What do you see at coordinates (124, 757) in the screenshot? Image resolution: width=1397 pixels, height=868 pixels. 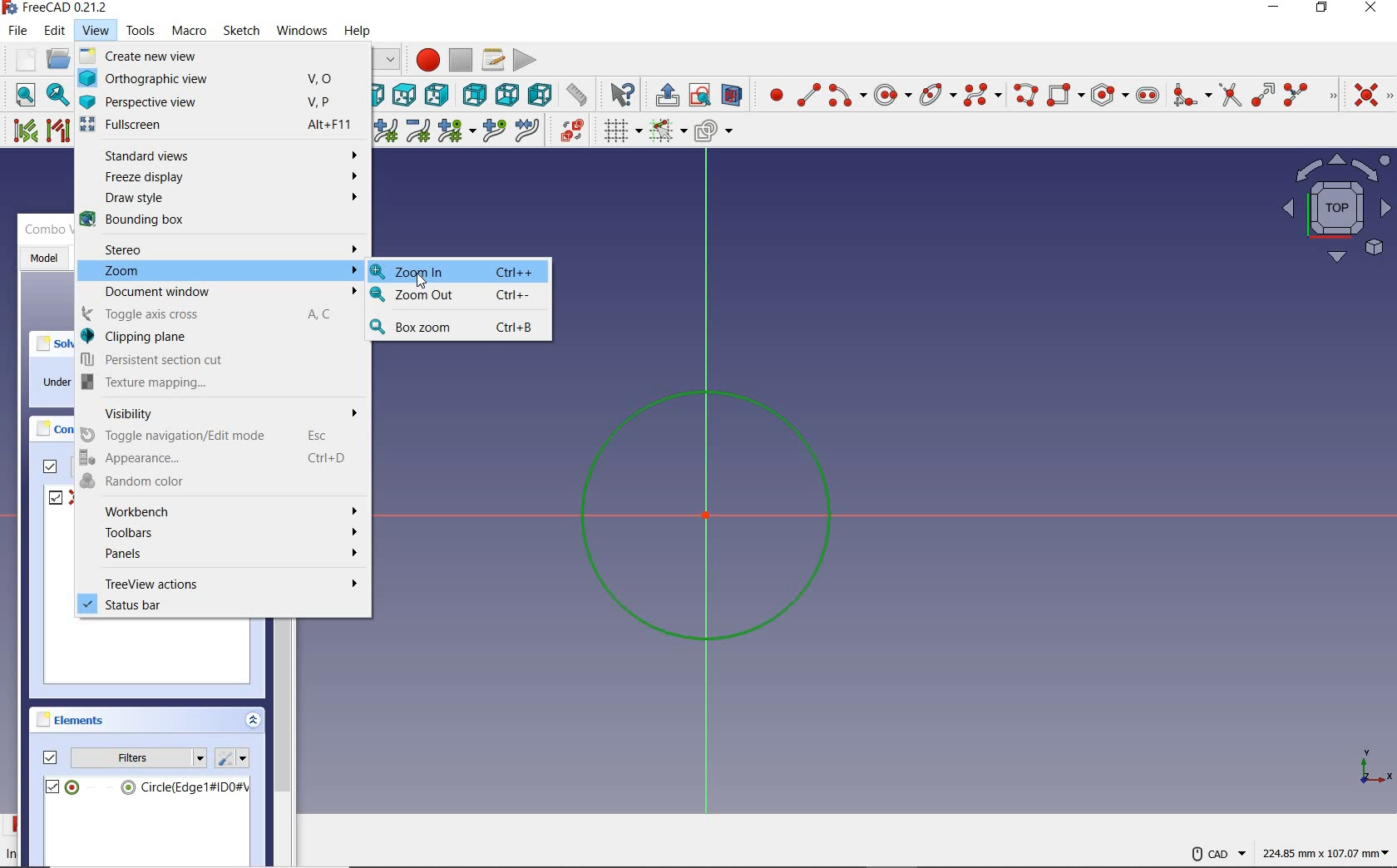 I see `filters` at bounding box center [124, 757].